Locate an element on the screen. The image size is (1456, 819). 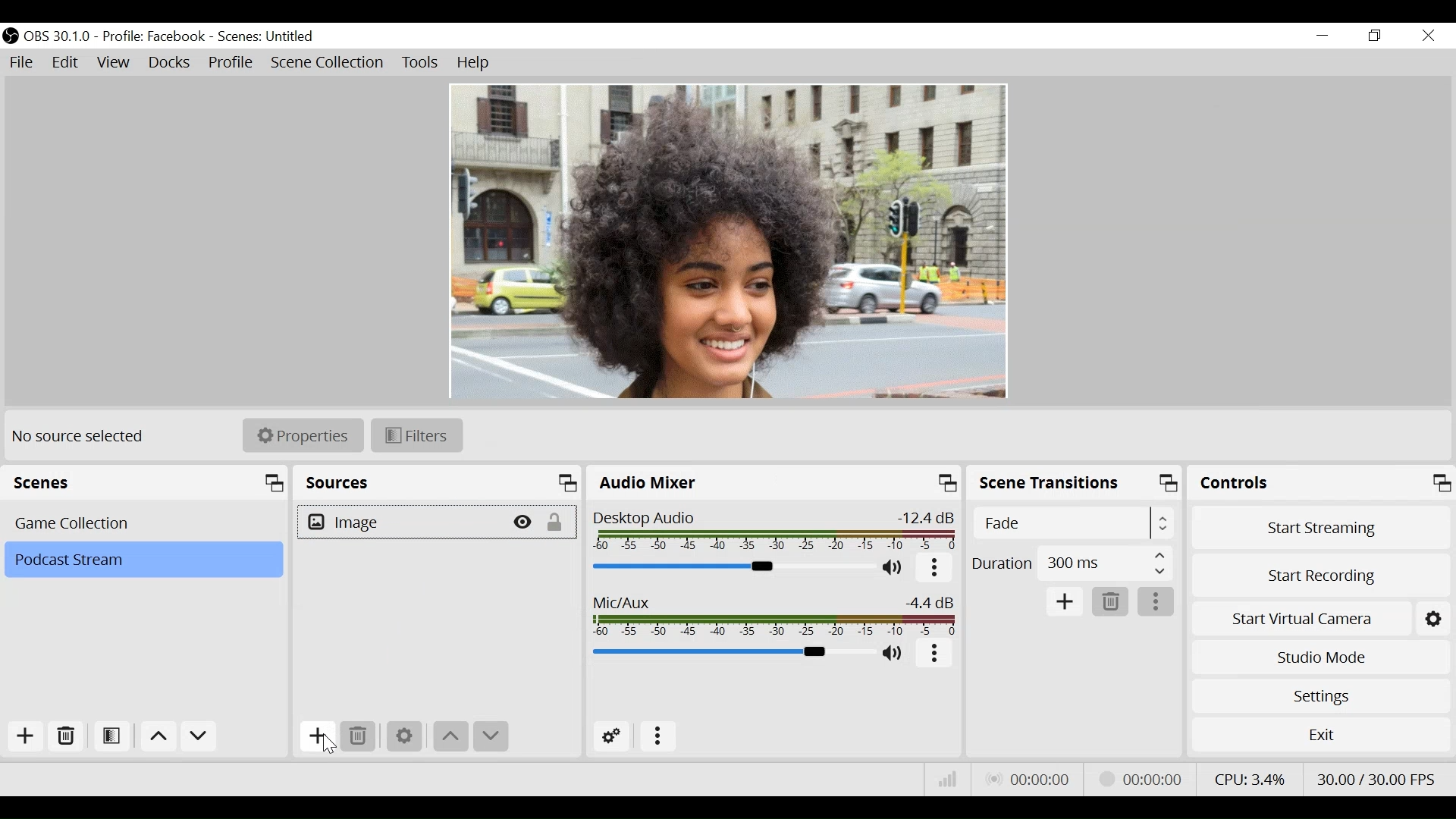
Frame Per Second is located at coordinates (1376, 776).